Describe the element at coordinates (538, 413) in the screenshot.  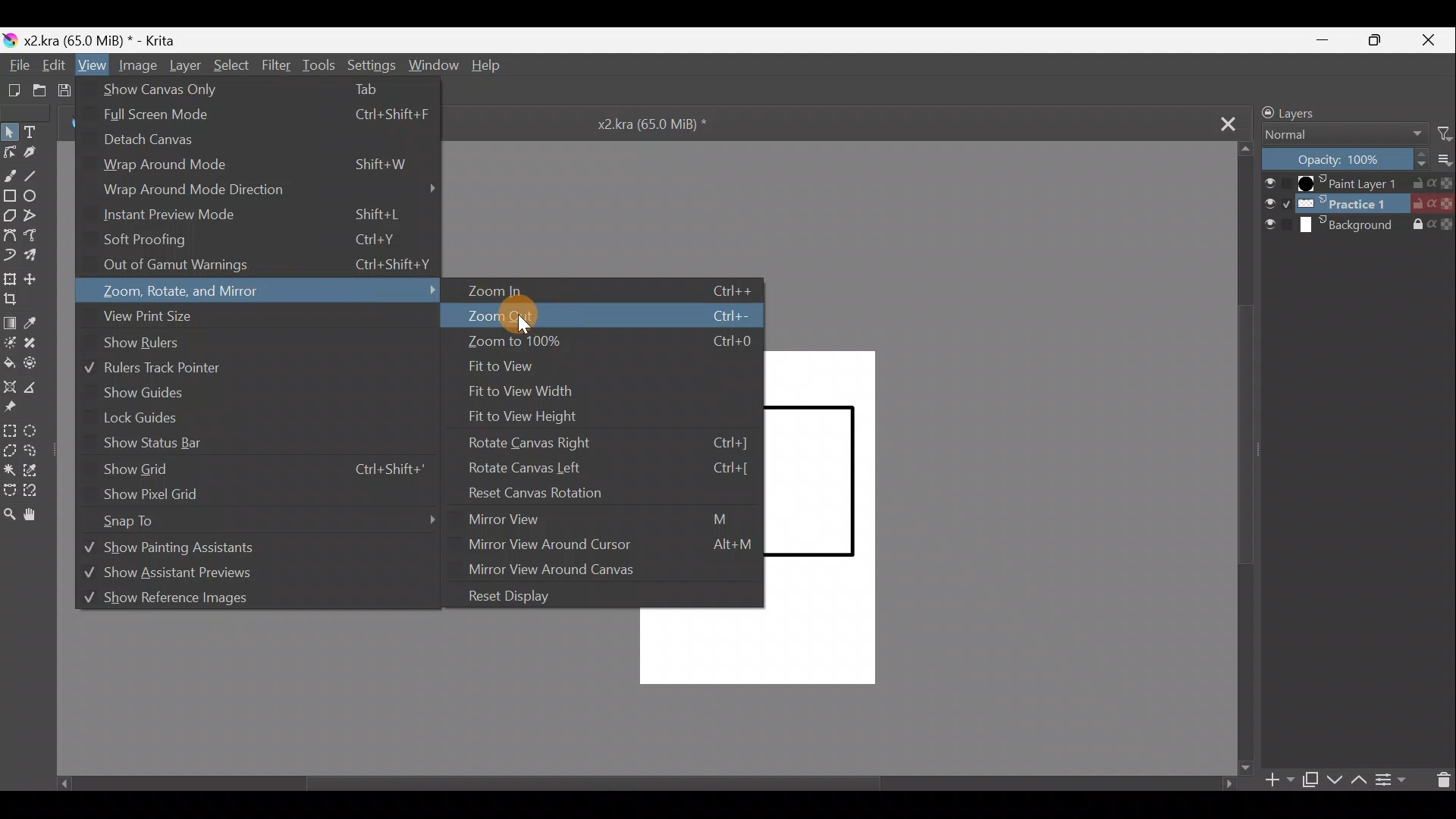
I see `Fit to view height` at that location.